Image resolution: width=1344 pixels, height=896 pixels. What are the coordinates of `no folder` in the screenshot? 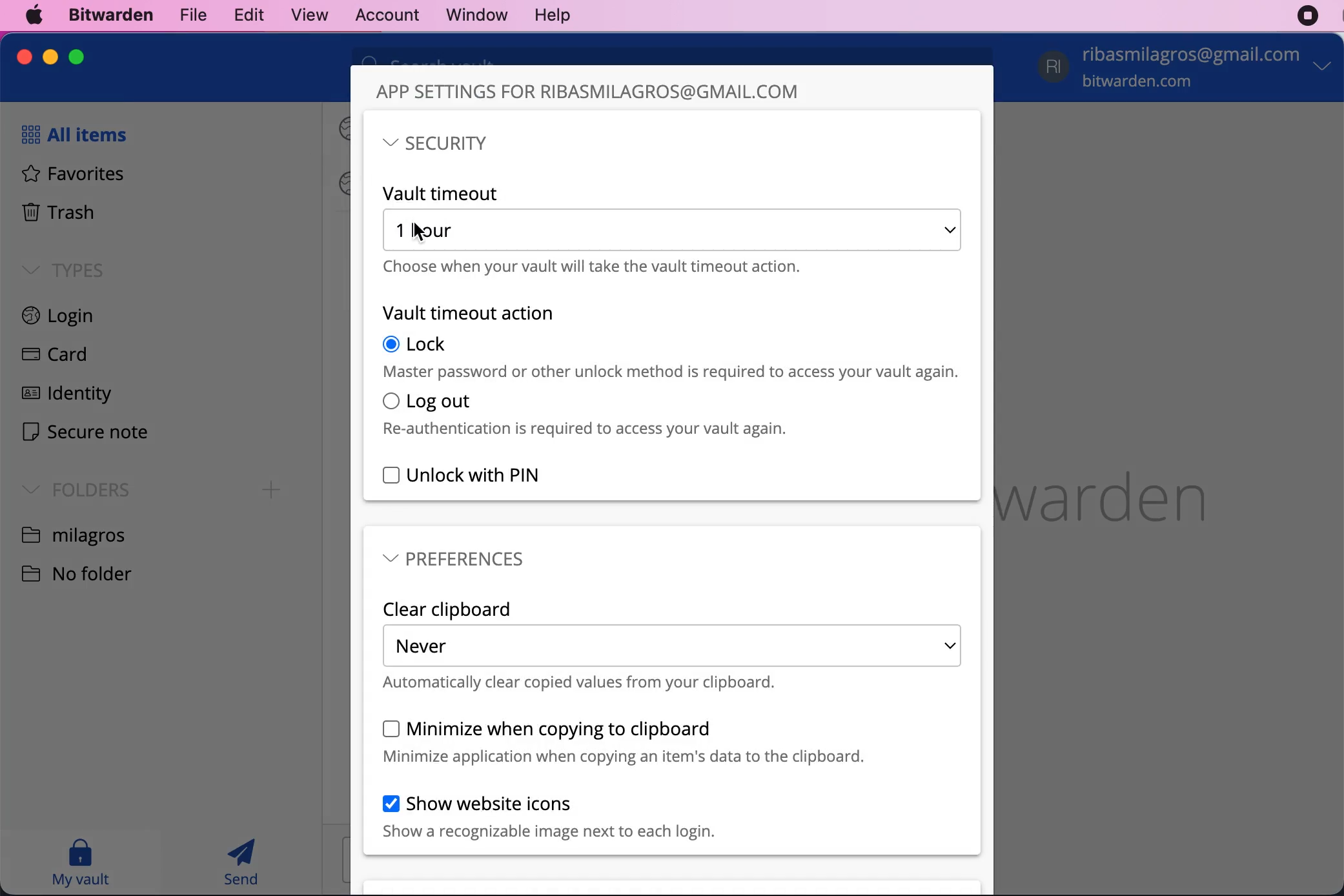 It's located at (87, 572).